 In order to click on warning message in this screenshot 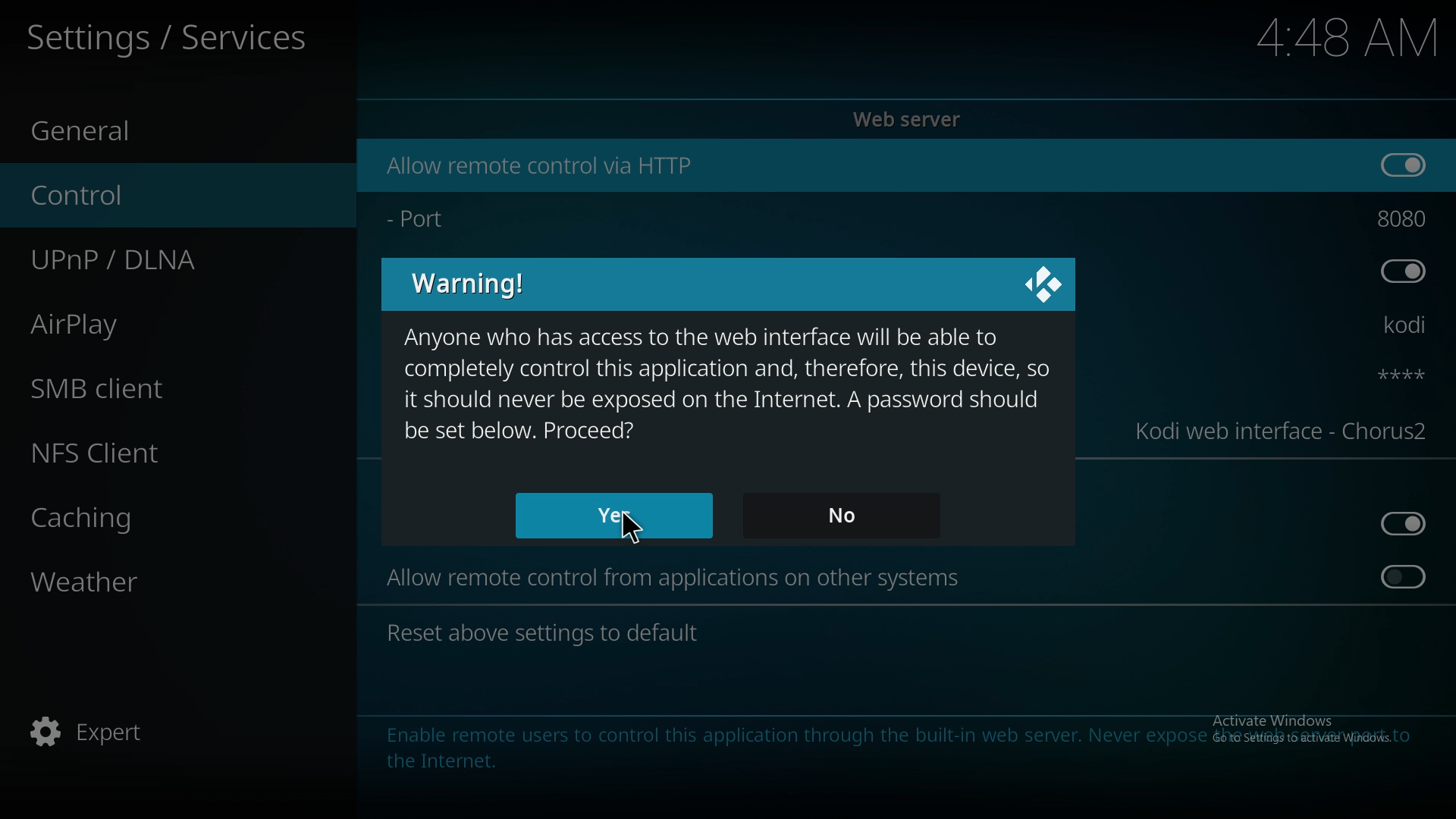, I will do `click(730, 381)`.